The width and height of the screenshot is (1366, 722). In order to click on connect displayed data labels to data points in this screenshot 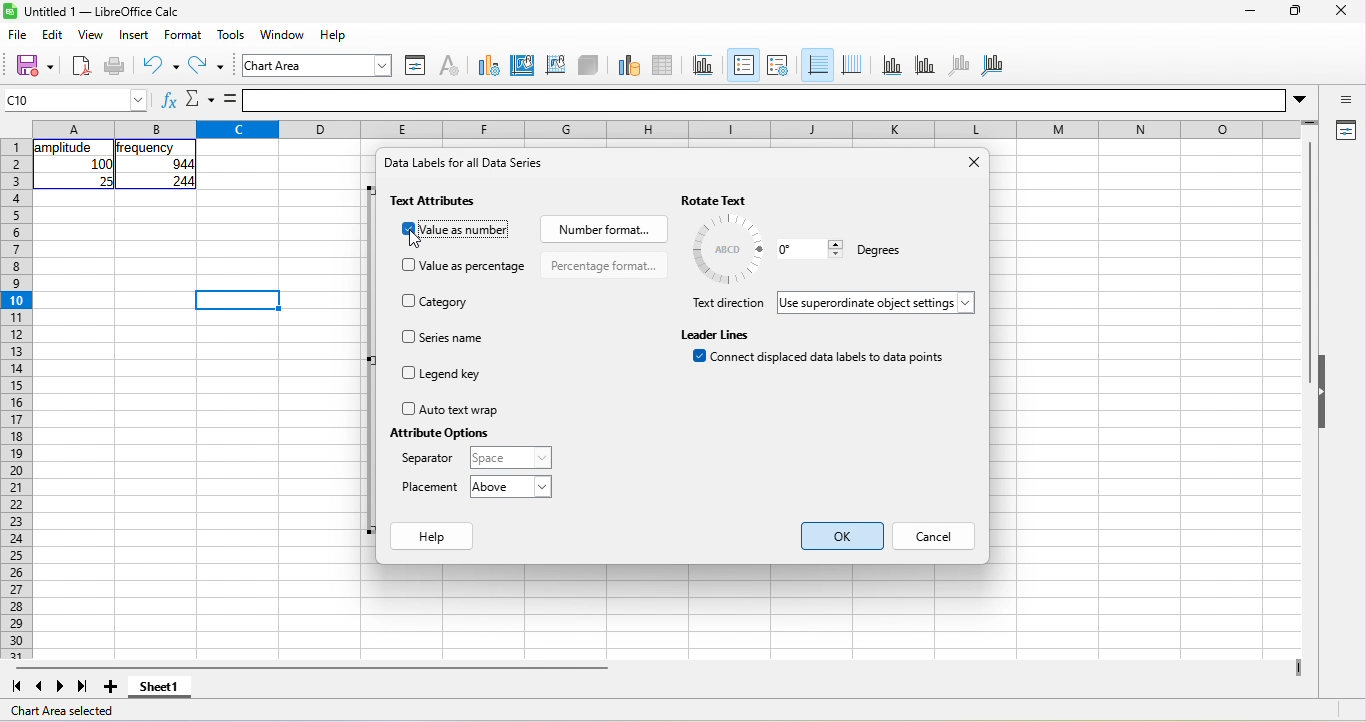, I will do `click(823, 361)`.